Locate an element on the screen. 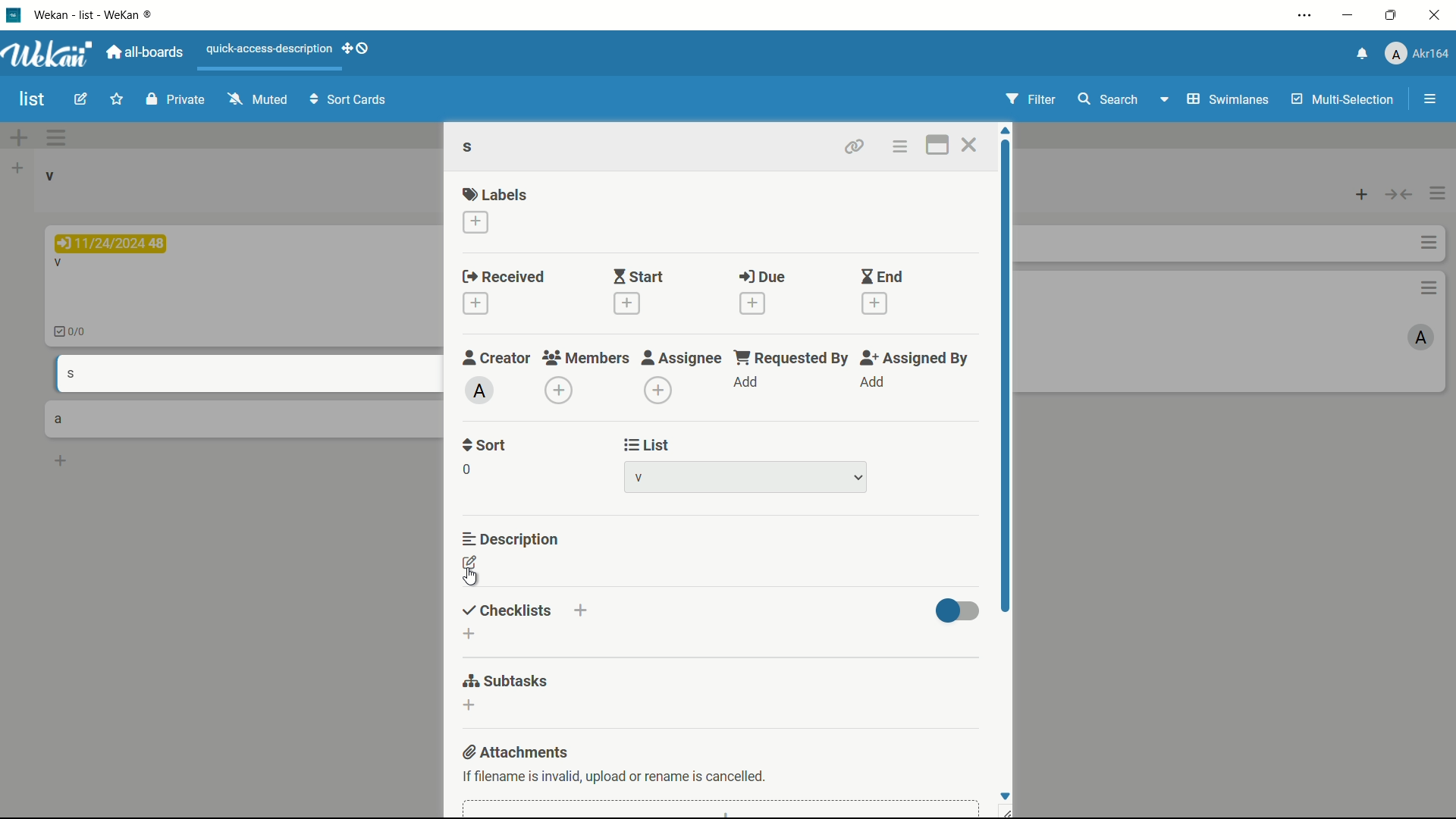 The image size is (1456, 819). private is located at coordinates (174, 99).